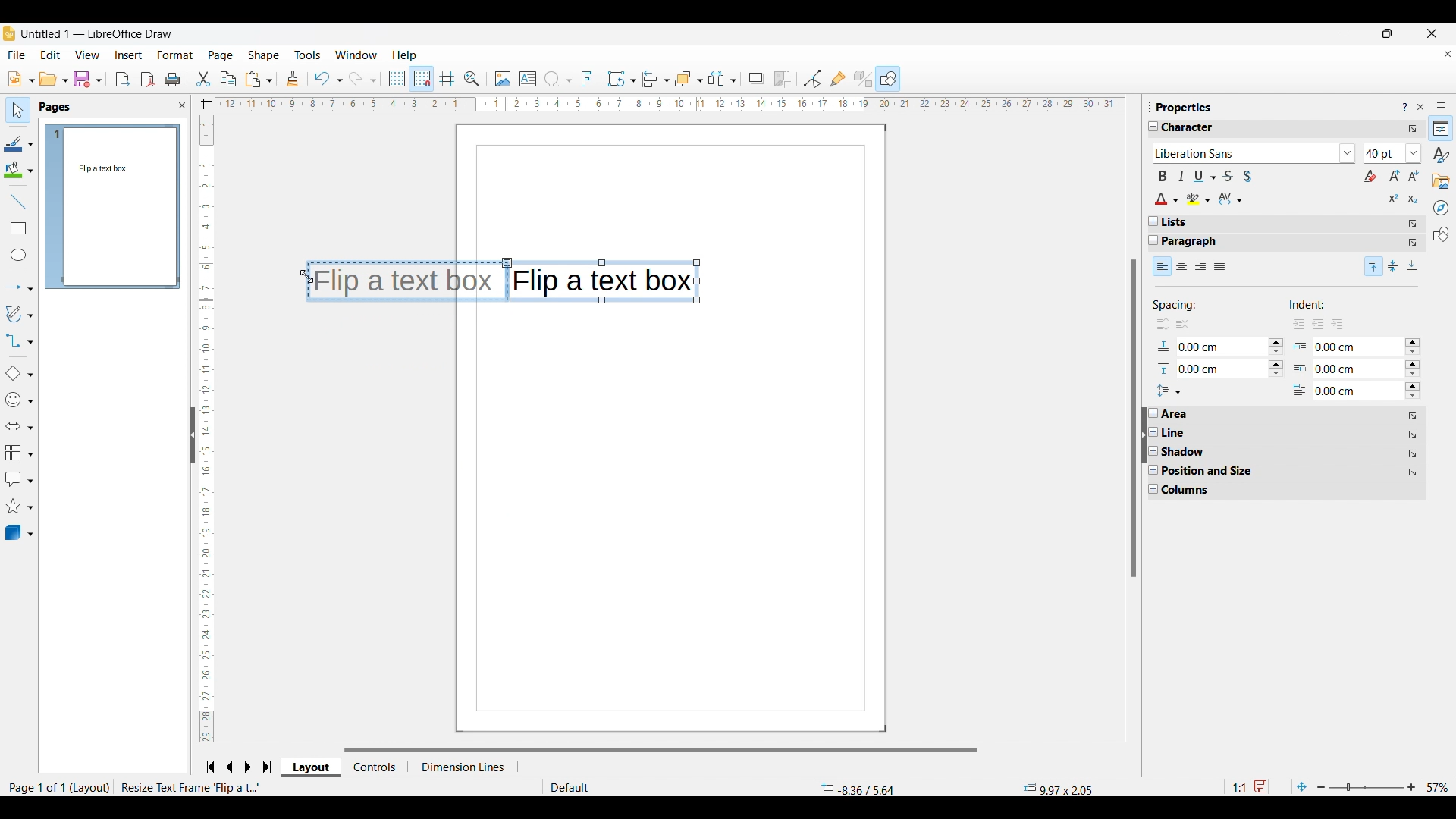 Image resolution: width=1456 pixels, height=819 pixels. Describe the element at coordinates (396, 79) in the screenshot. I see `Display grid` at that location.